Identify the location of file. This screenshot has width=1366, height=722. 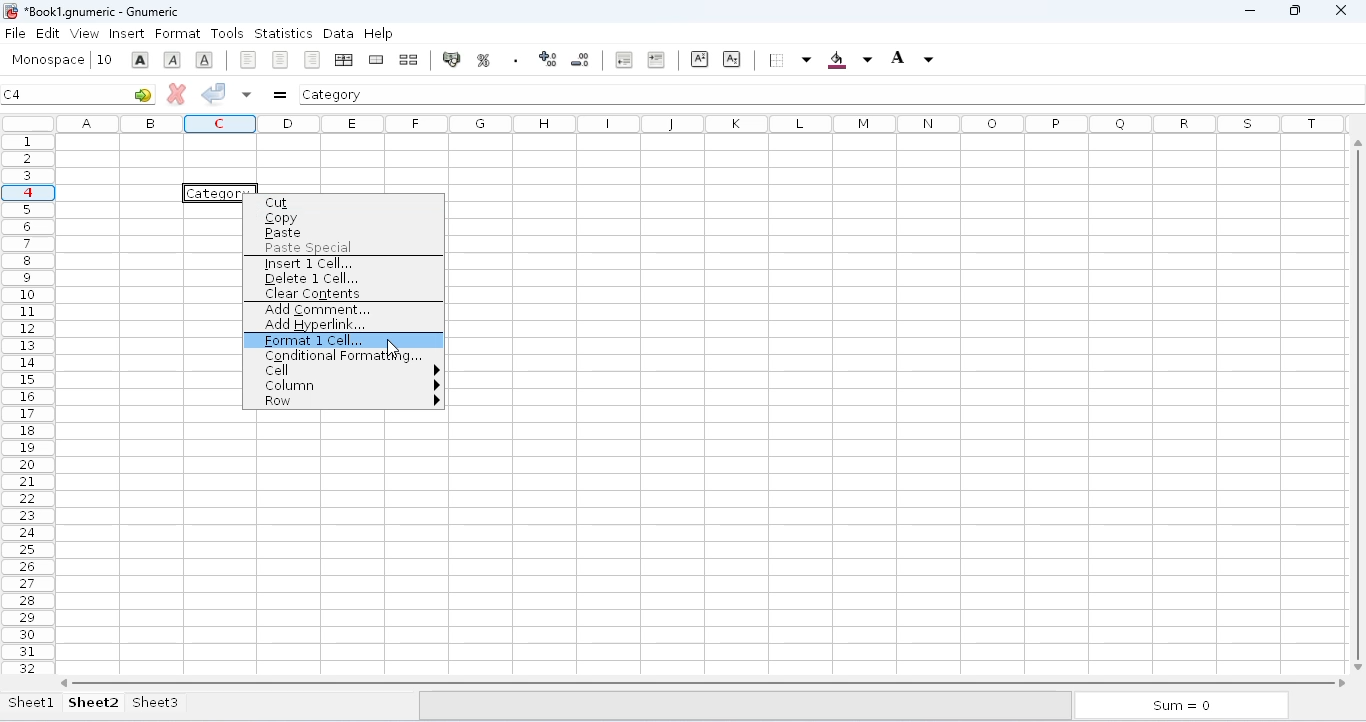
(15, 33).